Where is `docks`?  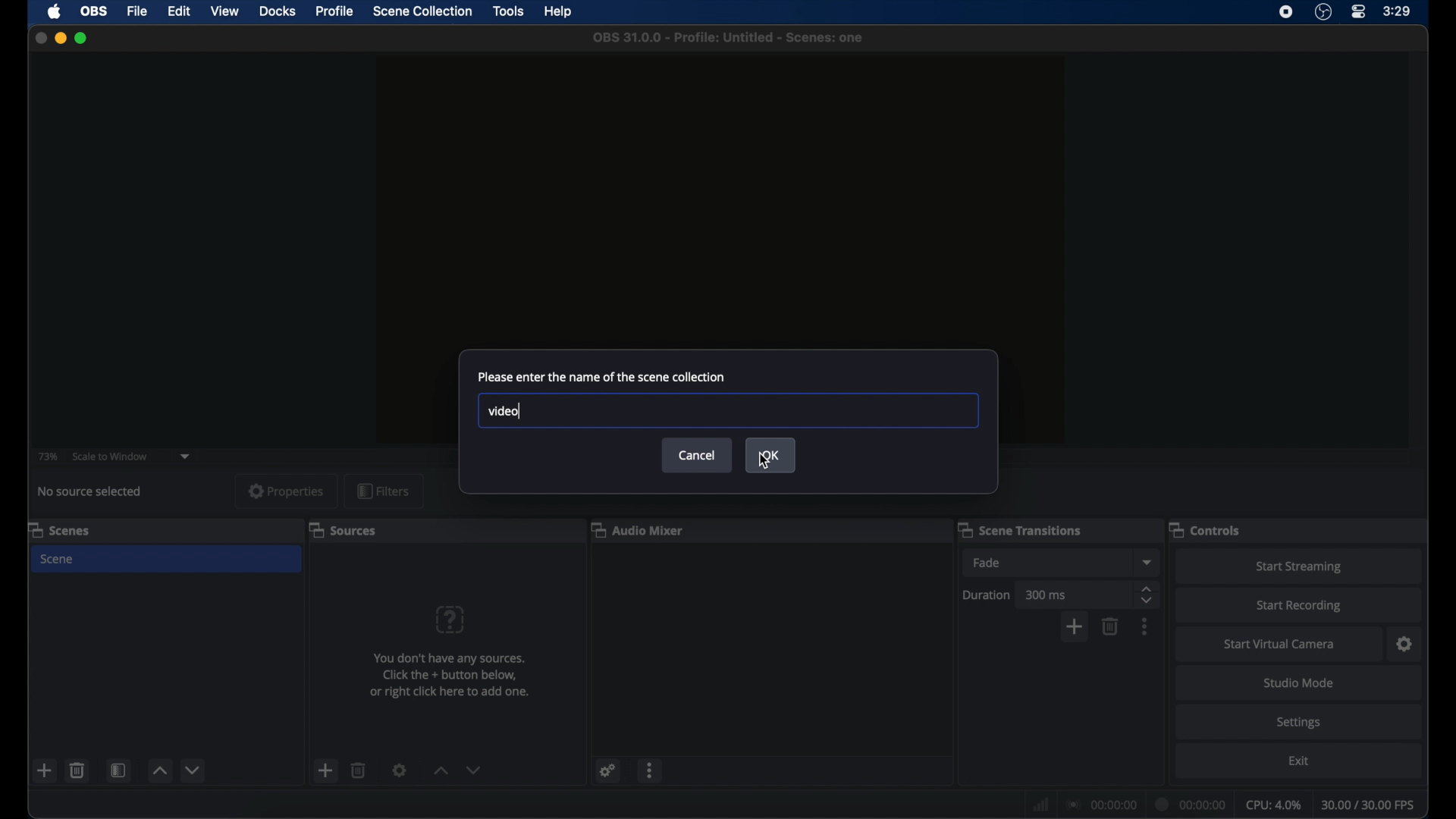
docks is located at coordinates (278, 11).